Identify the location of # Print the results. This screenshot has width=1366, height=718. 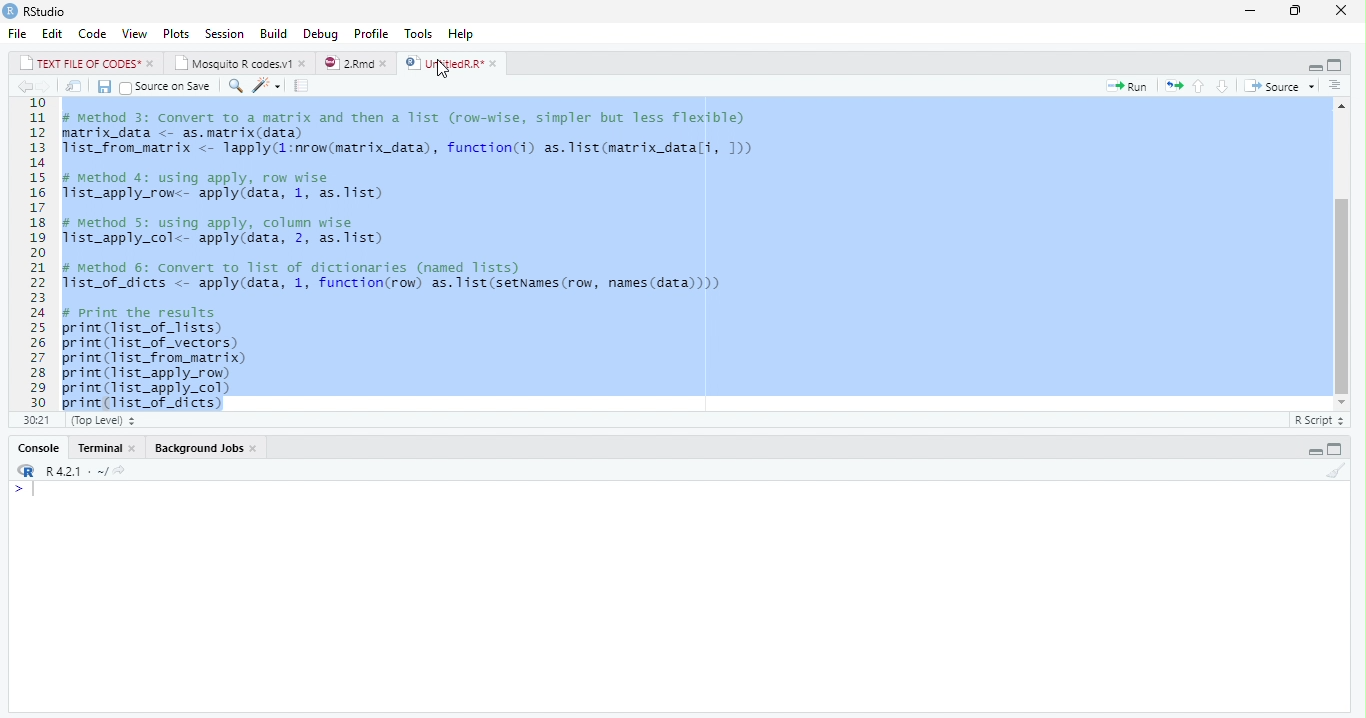
(141, 311).